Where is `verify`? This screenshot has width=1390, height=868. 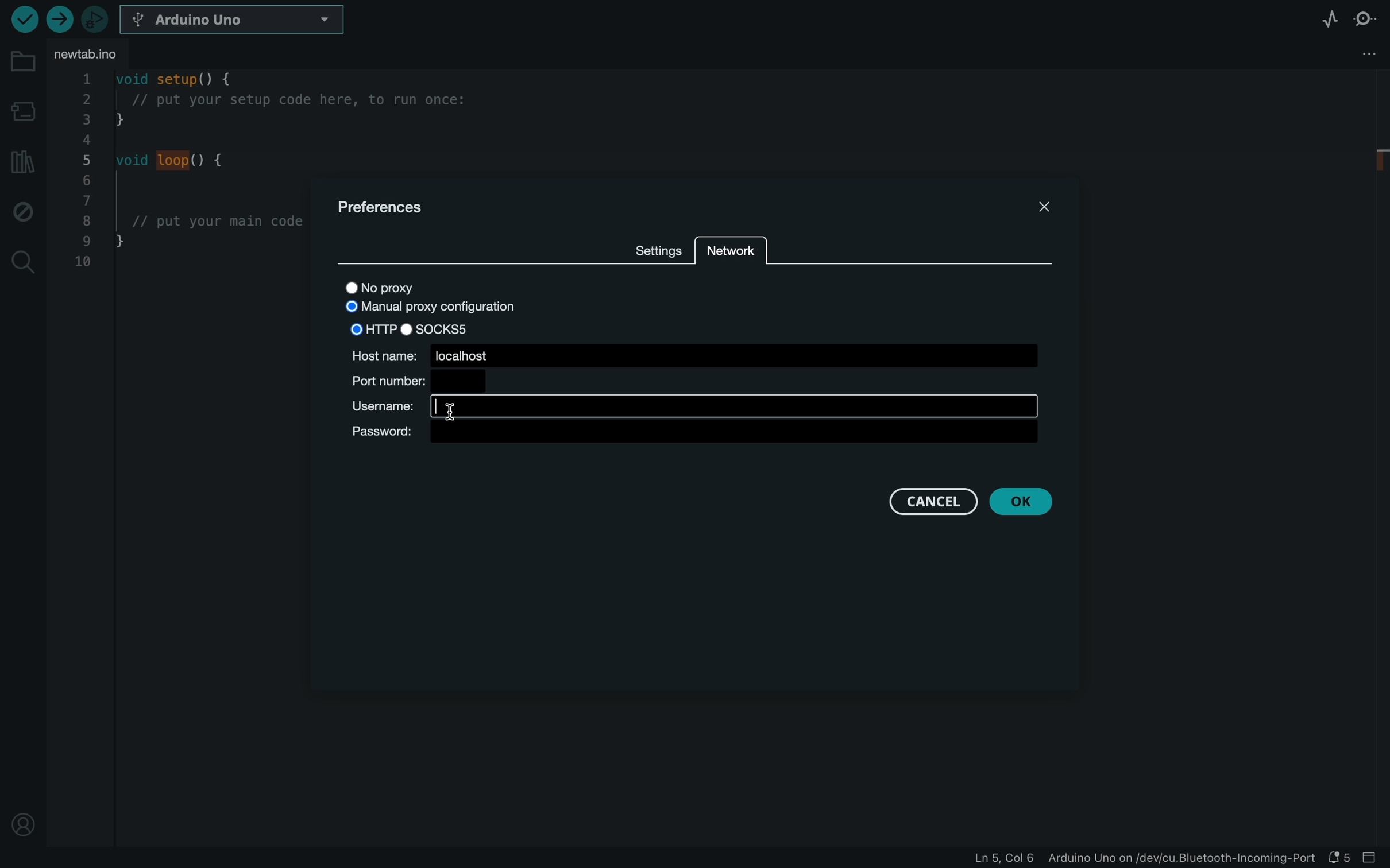
verify is located at coordinates (23, 19).